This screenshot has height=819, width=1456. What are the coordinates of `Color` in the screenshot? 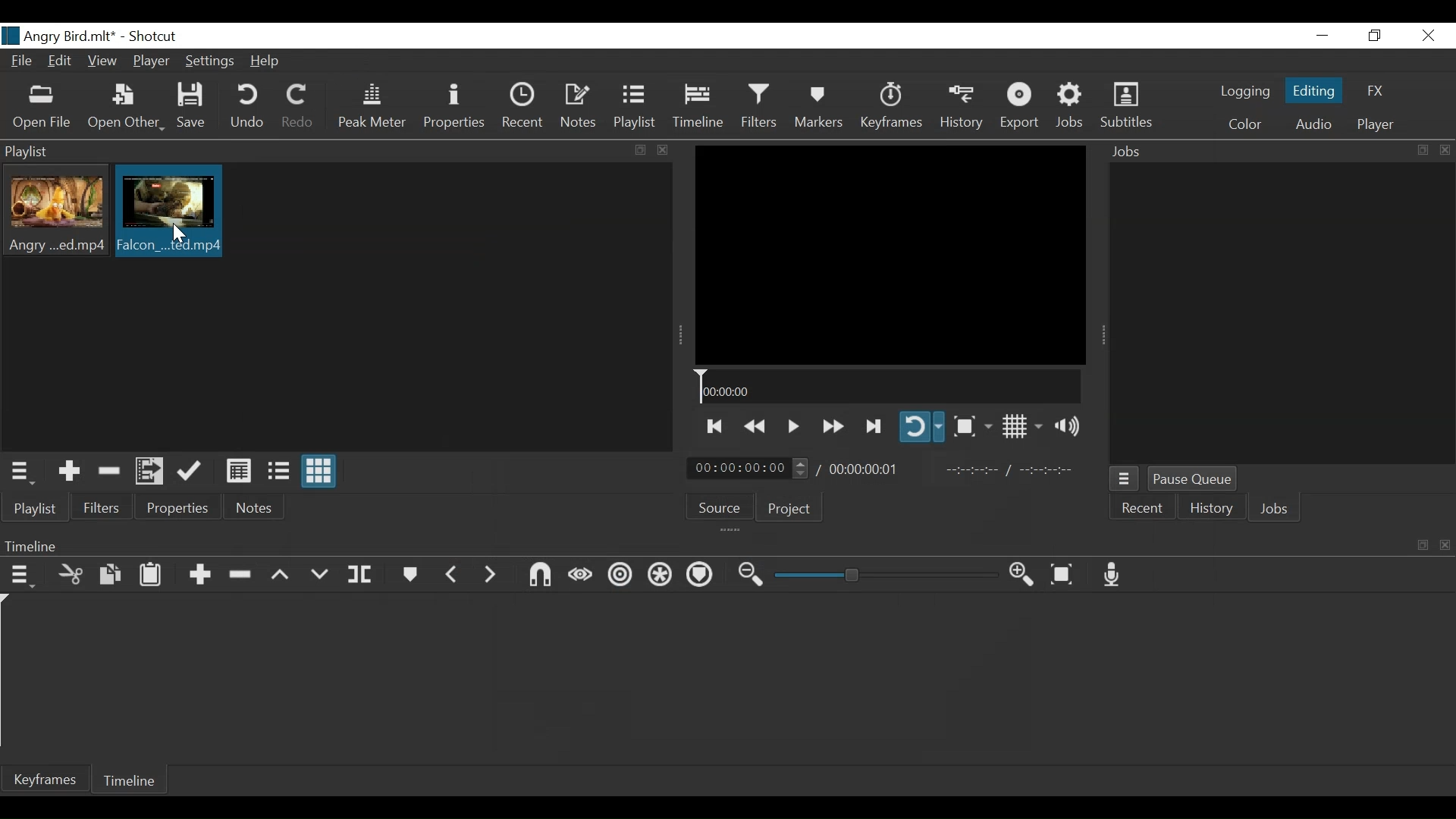 It's located at (1241, 124).